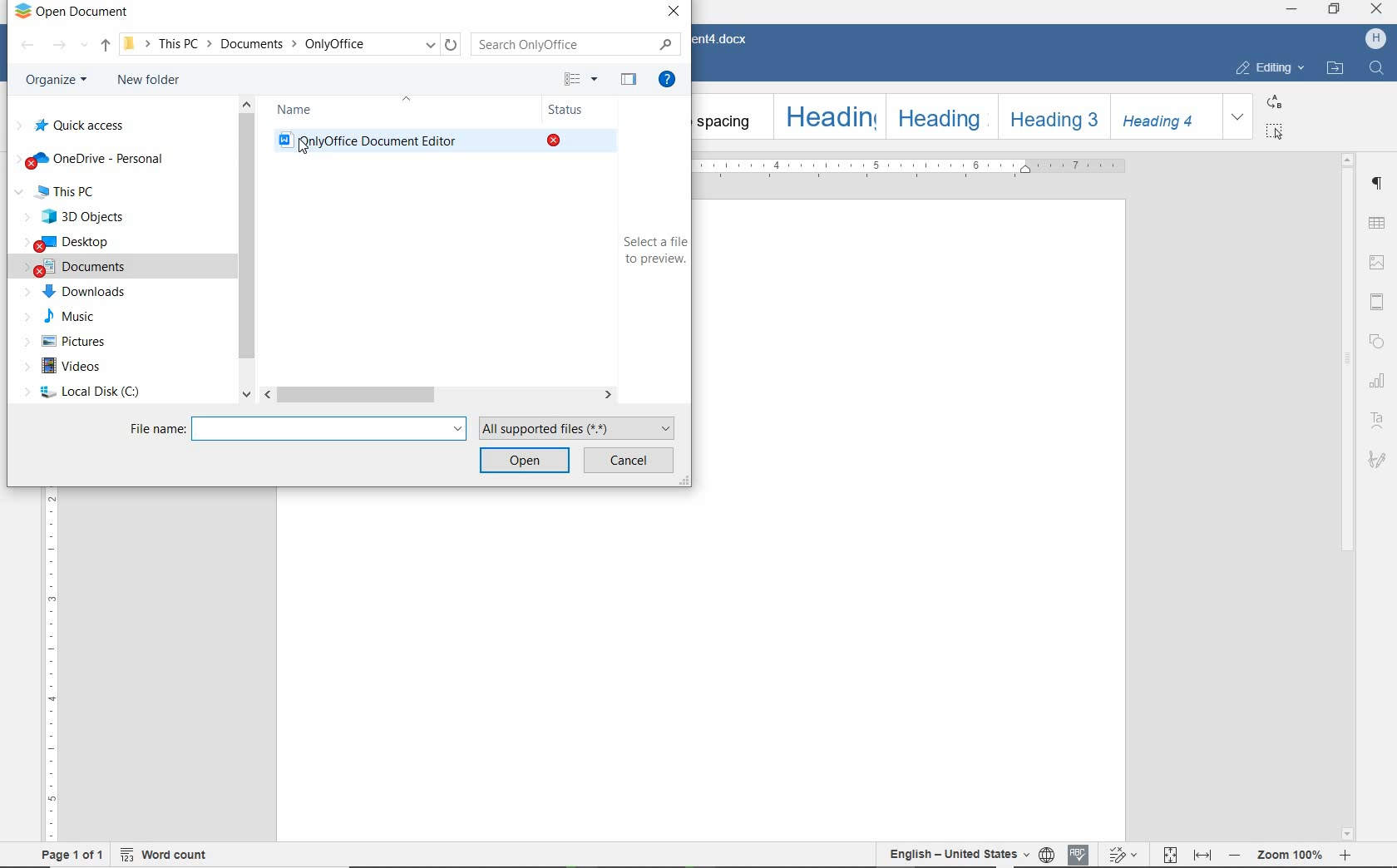  I want to click on backward, so click(25, 45).